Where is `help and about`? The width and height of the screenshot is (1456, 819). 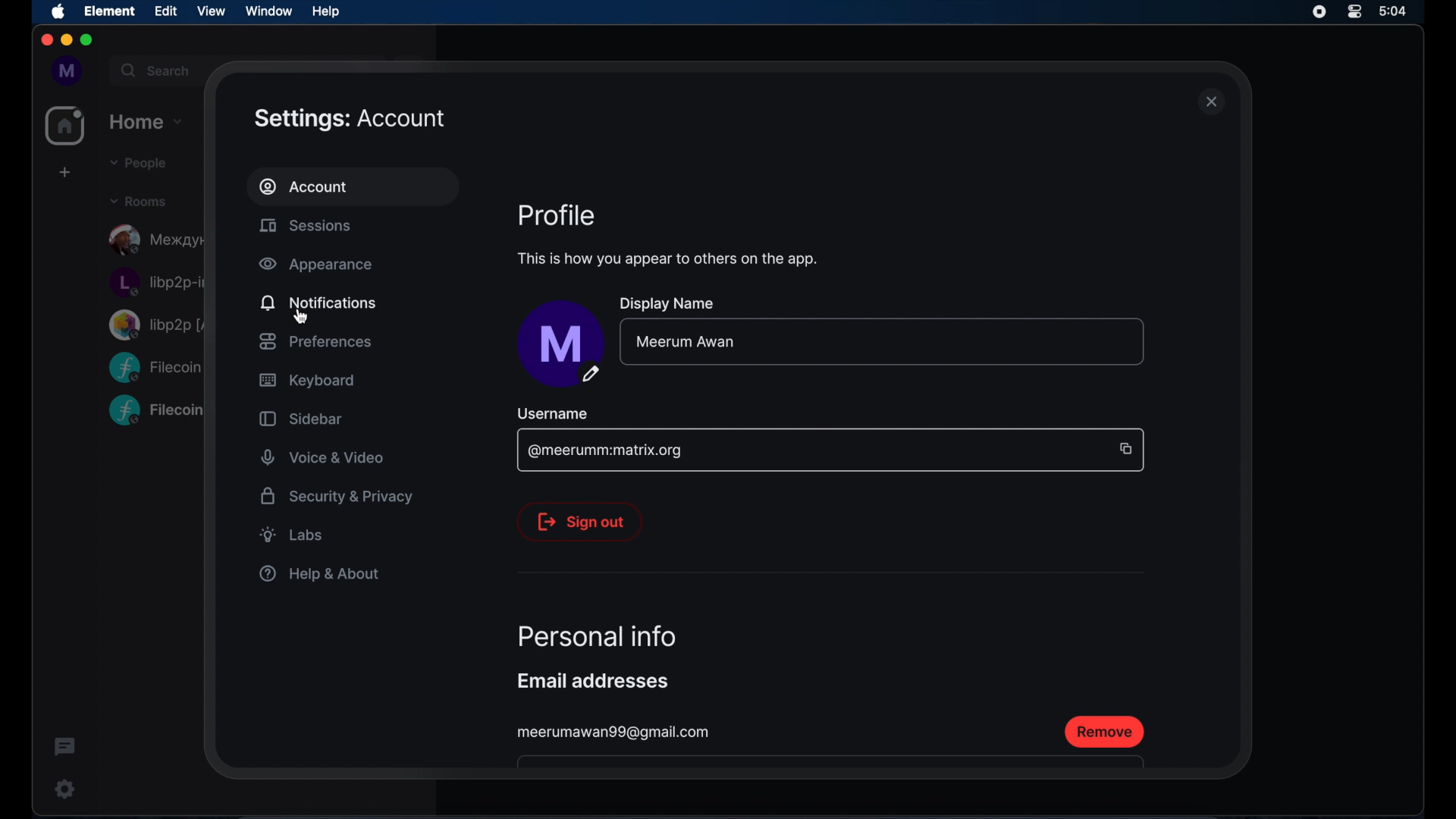
help and about is located at coordinates (318, 573).